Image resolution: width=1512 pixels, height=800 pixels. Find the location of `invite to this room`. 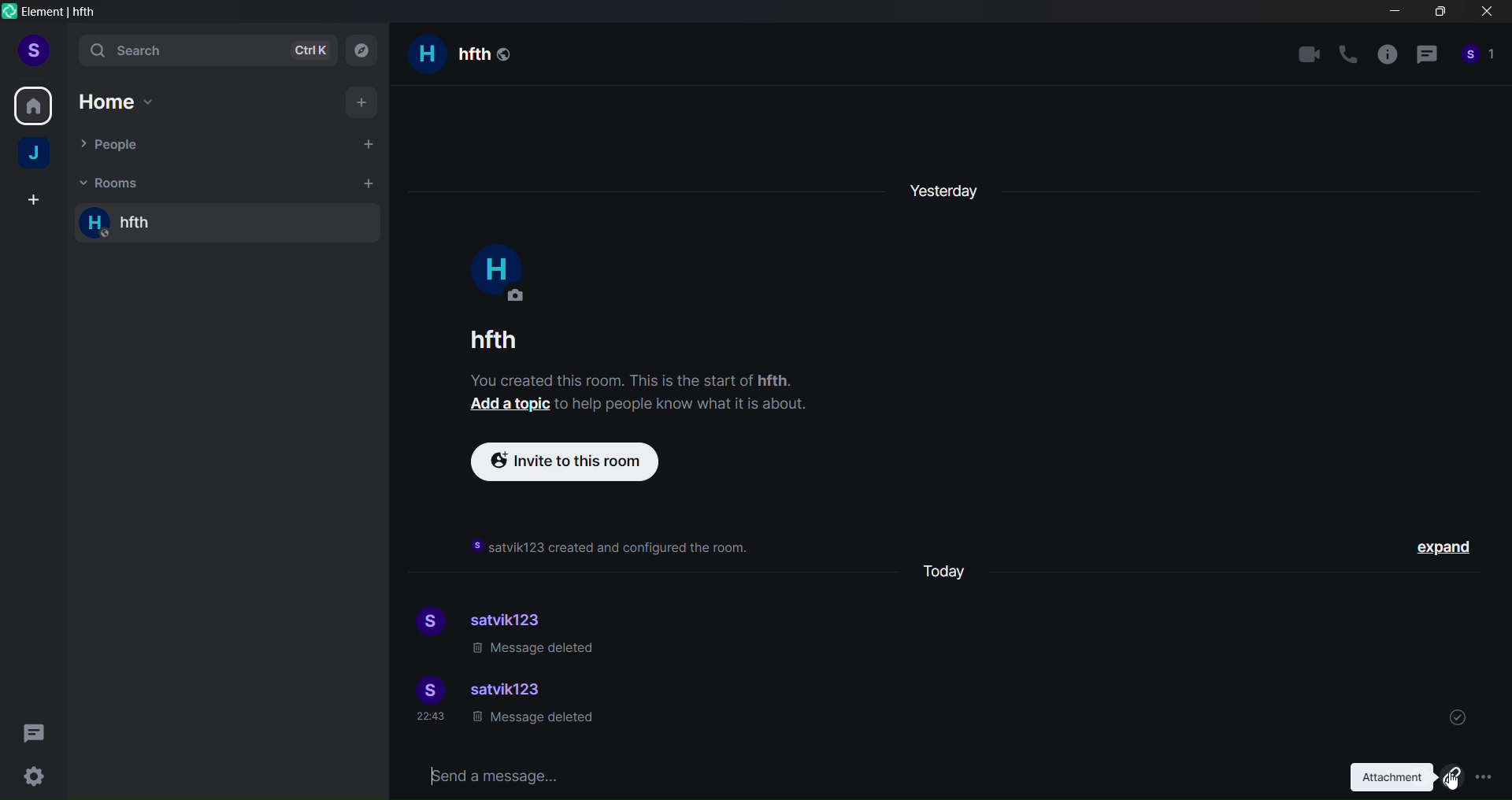

invite to this room is located at coordinates (573, 462).